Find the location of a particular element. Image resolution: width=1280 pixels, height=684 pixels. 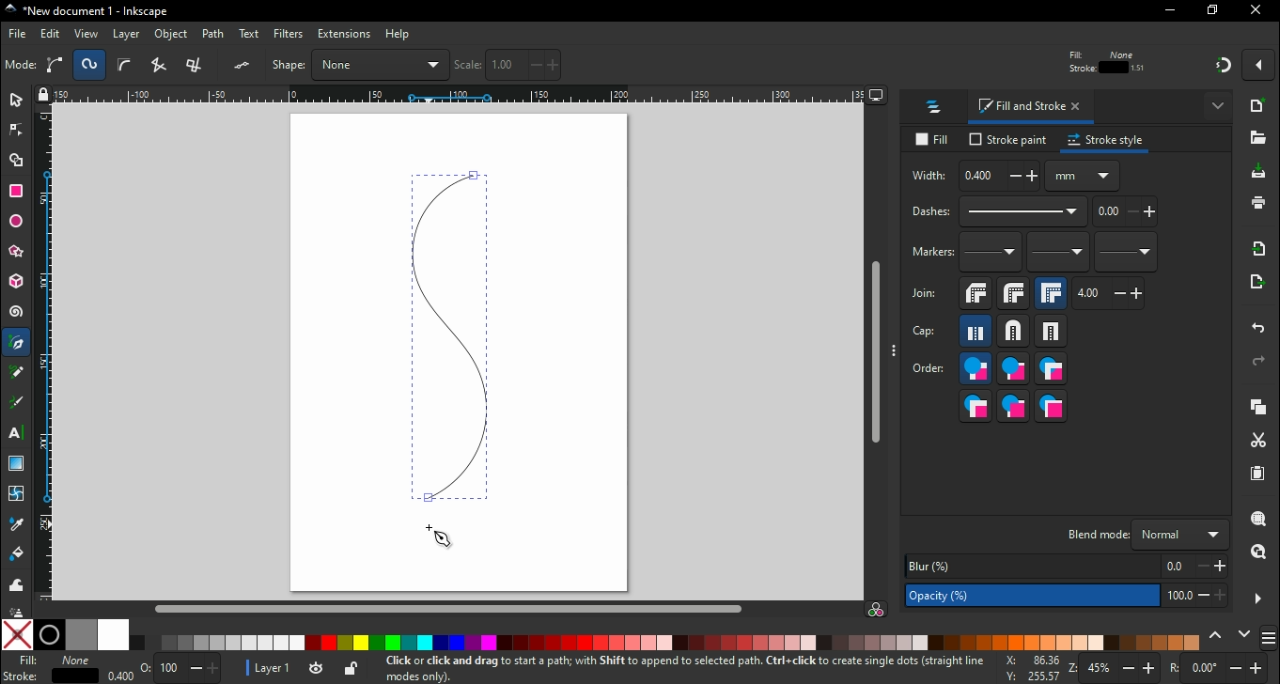

horizontal ruler is located at coordinates (461, 97).